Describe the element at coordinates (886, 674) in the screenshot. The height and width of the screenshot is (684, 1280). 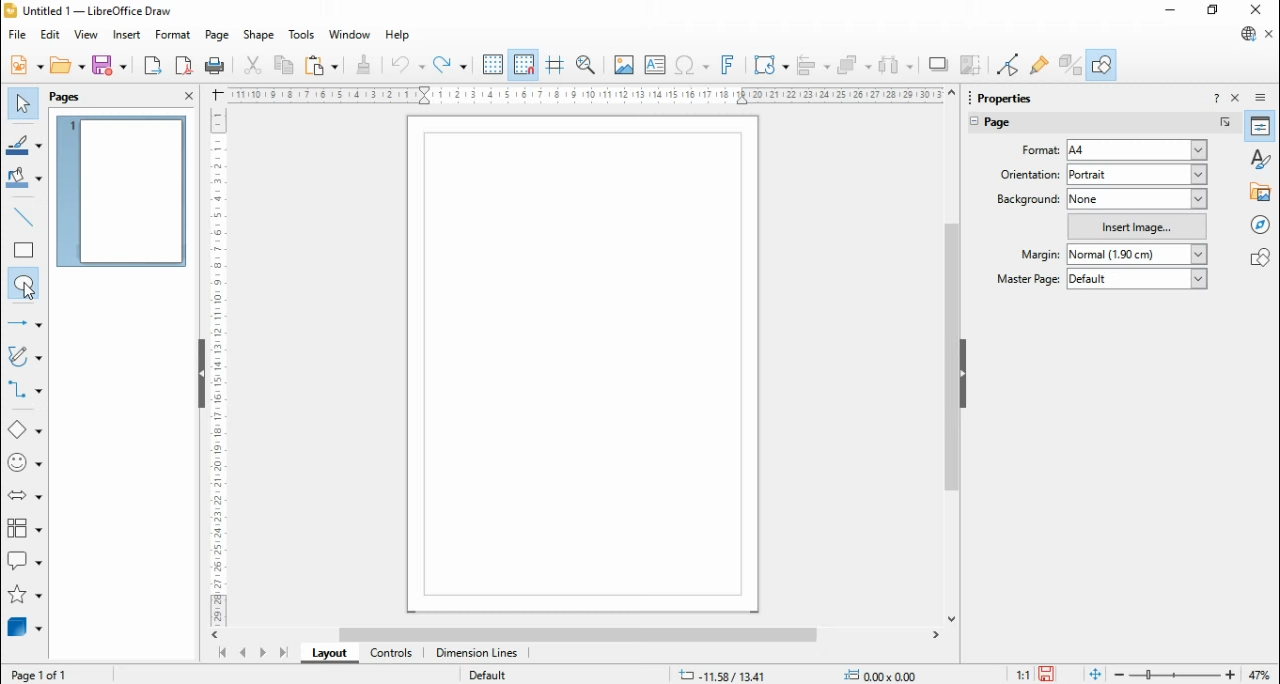
I see `+= 0,00x 0.00` at that location.